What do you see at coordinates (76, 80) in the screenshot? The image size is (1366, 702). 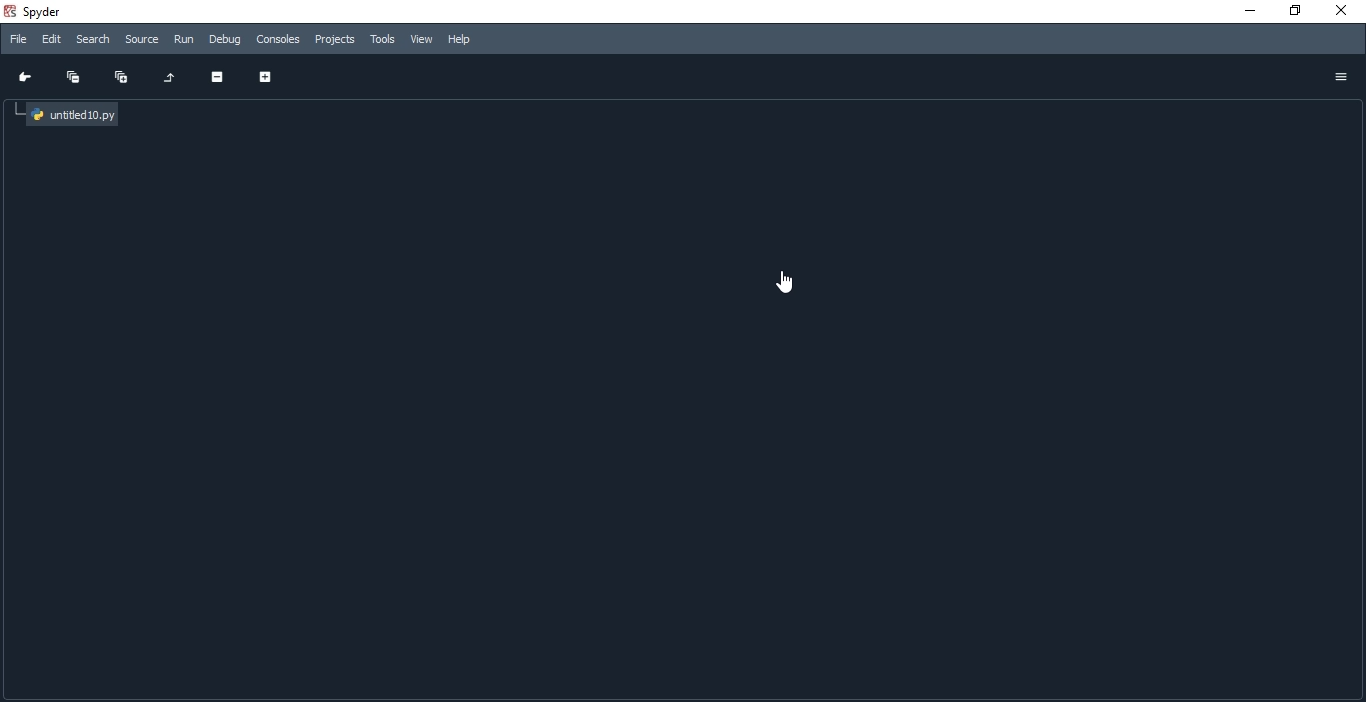 I see `Collapse all` at bounding box center [76, 80].